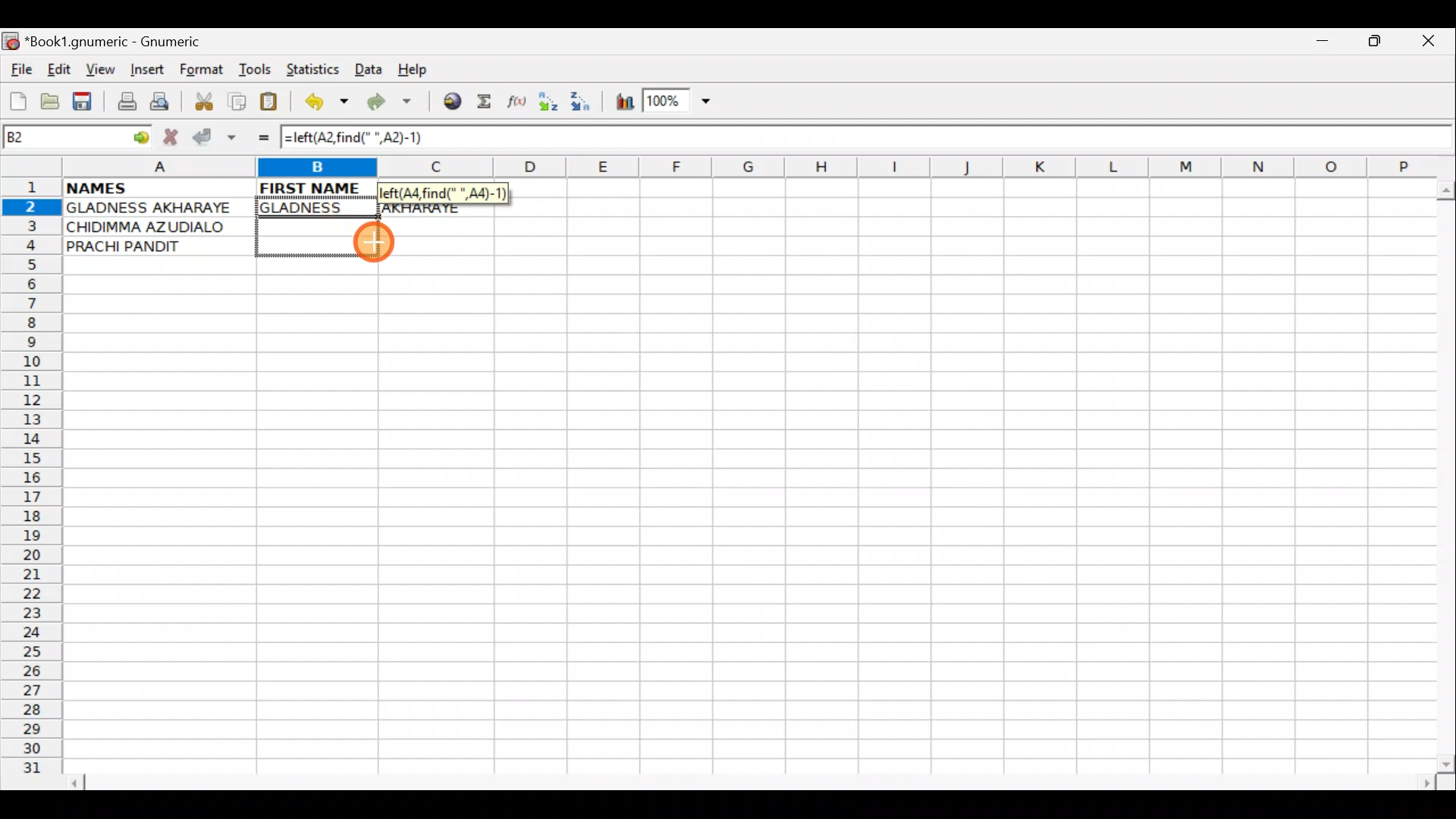  I want to click on =left(A2, find(" ",A2)-1), so click(442, 193).